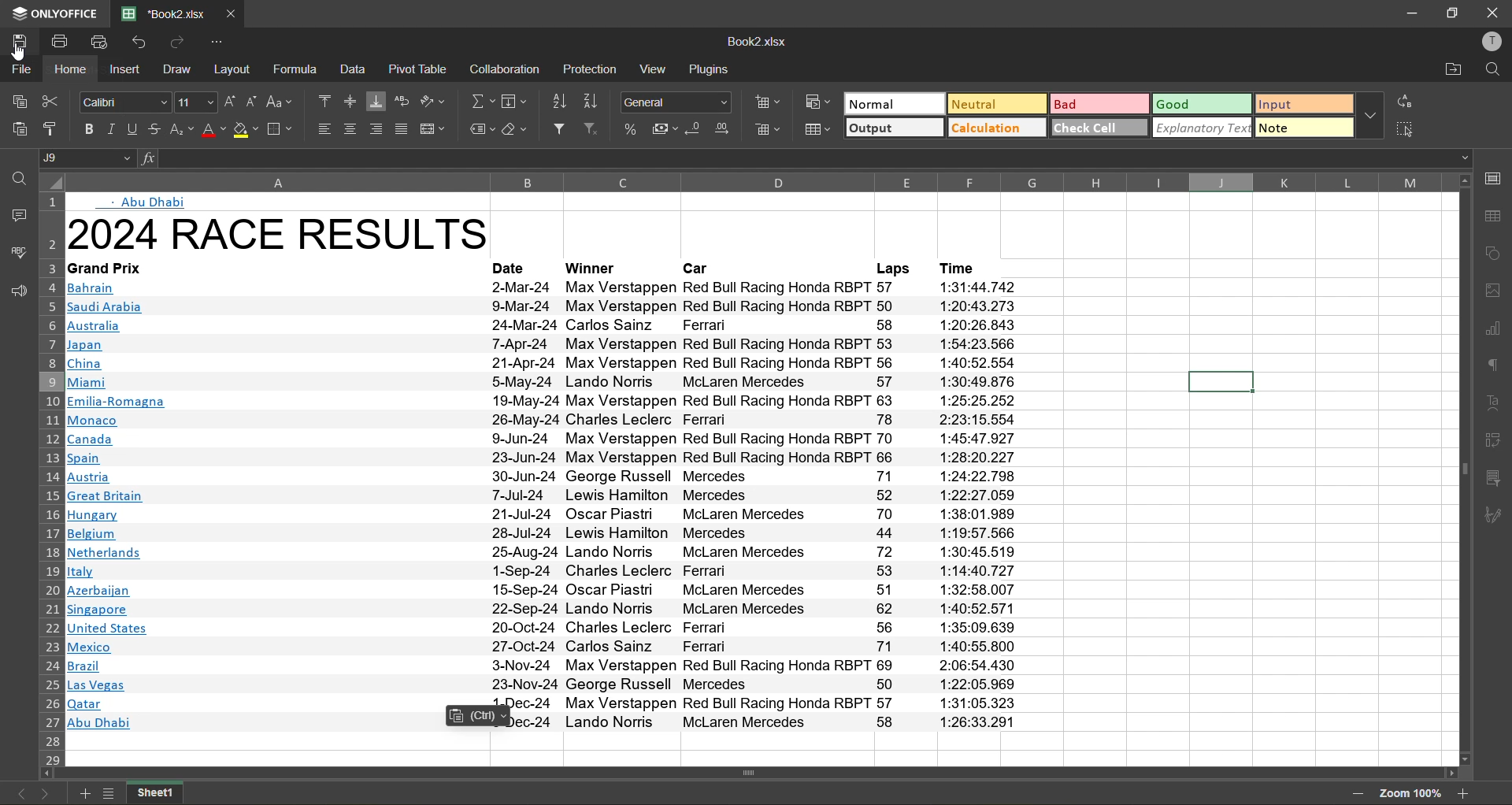  What do you see at coordinates (543, 534) in the screenshot?
I see `text info` at bounding box center [543, 534].